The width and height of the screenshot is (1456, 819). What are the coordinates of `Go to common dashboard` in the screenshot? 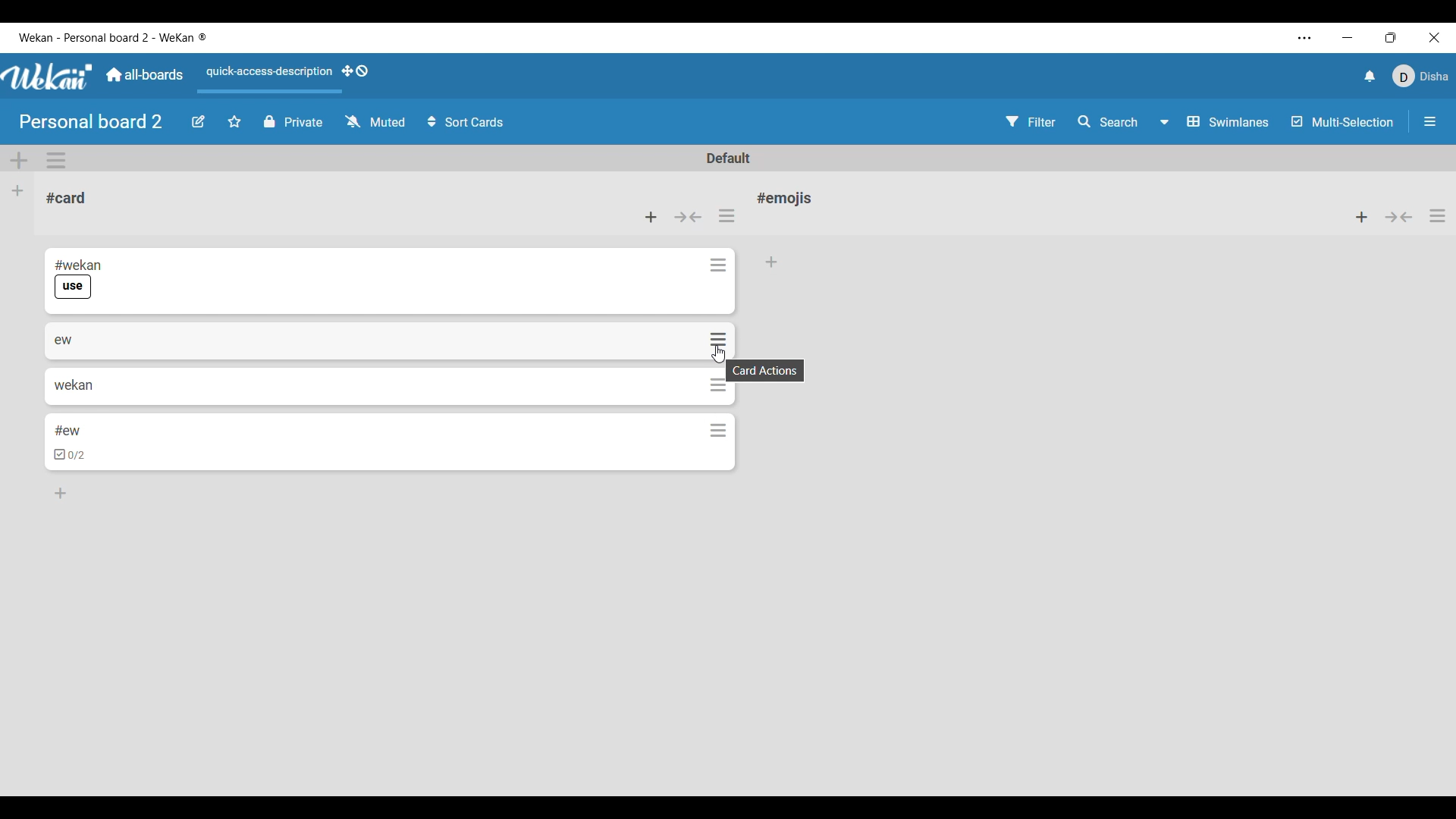 It's located at (145, 74).